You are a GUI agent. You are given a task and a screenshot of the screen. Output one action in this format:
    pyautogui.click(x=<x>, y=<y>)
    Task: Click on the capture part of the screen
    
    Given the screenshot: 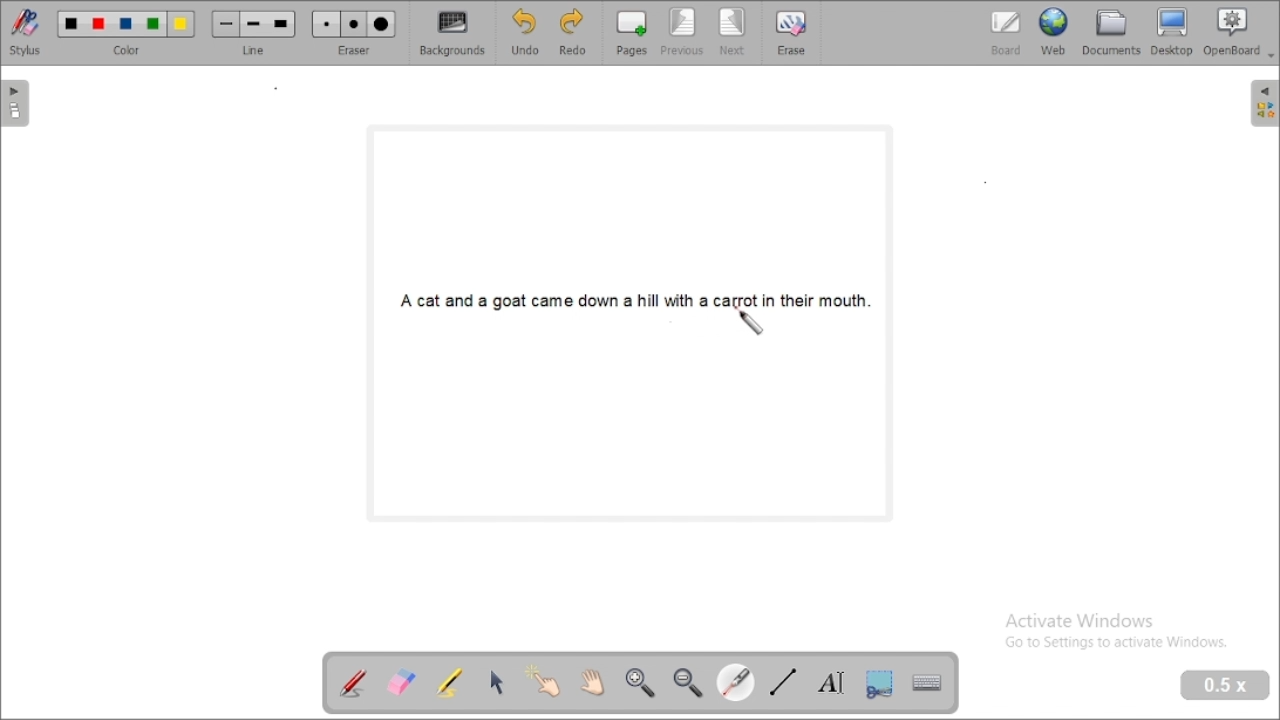 What is the action you would take?
    pyautogui.click(x=880, y=683)
    